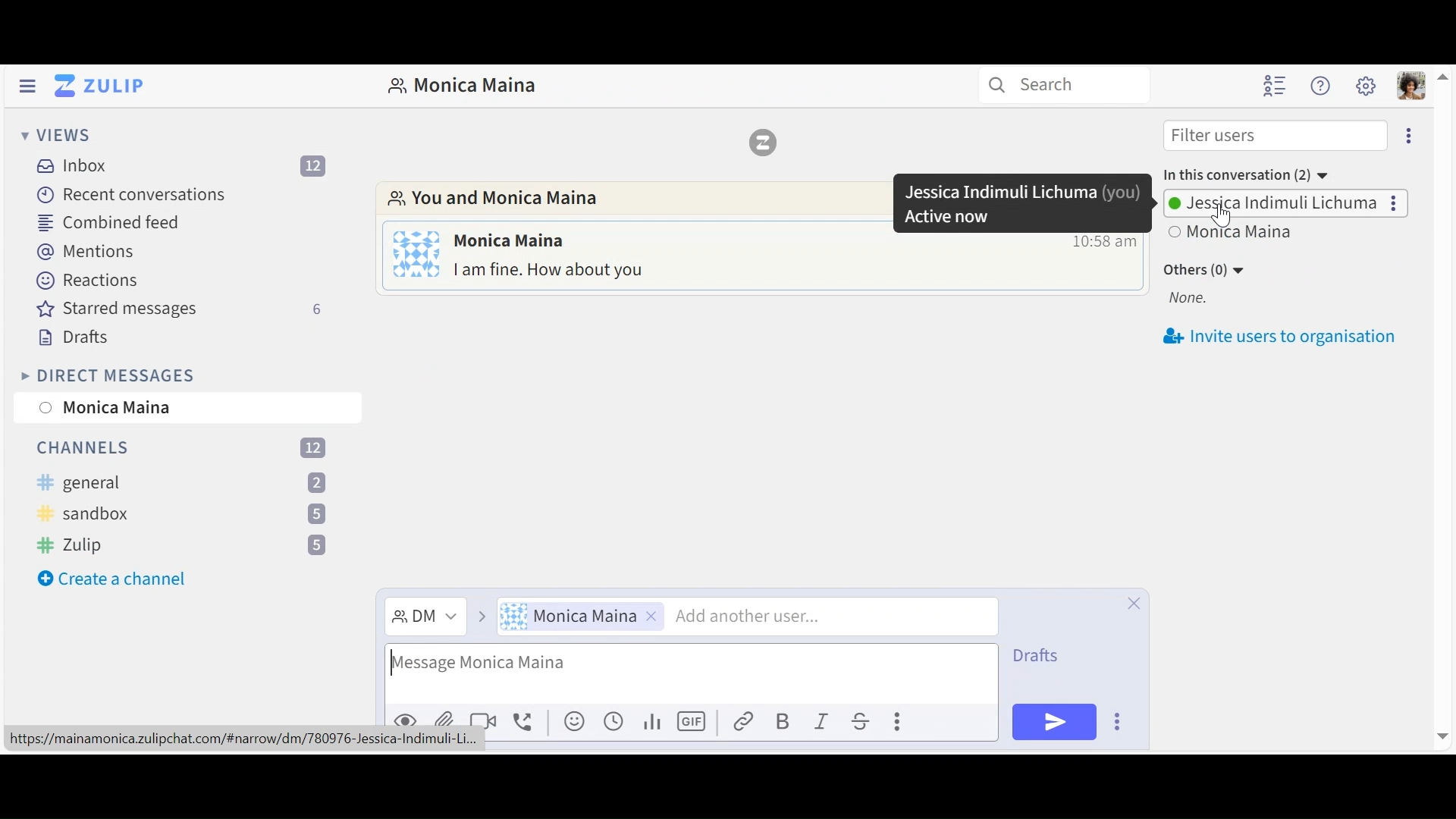 The image size is (1456, 819). Describe the element at coordinates (185, 448) in the screenshot. I see `Channels` at that location.